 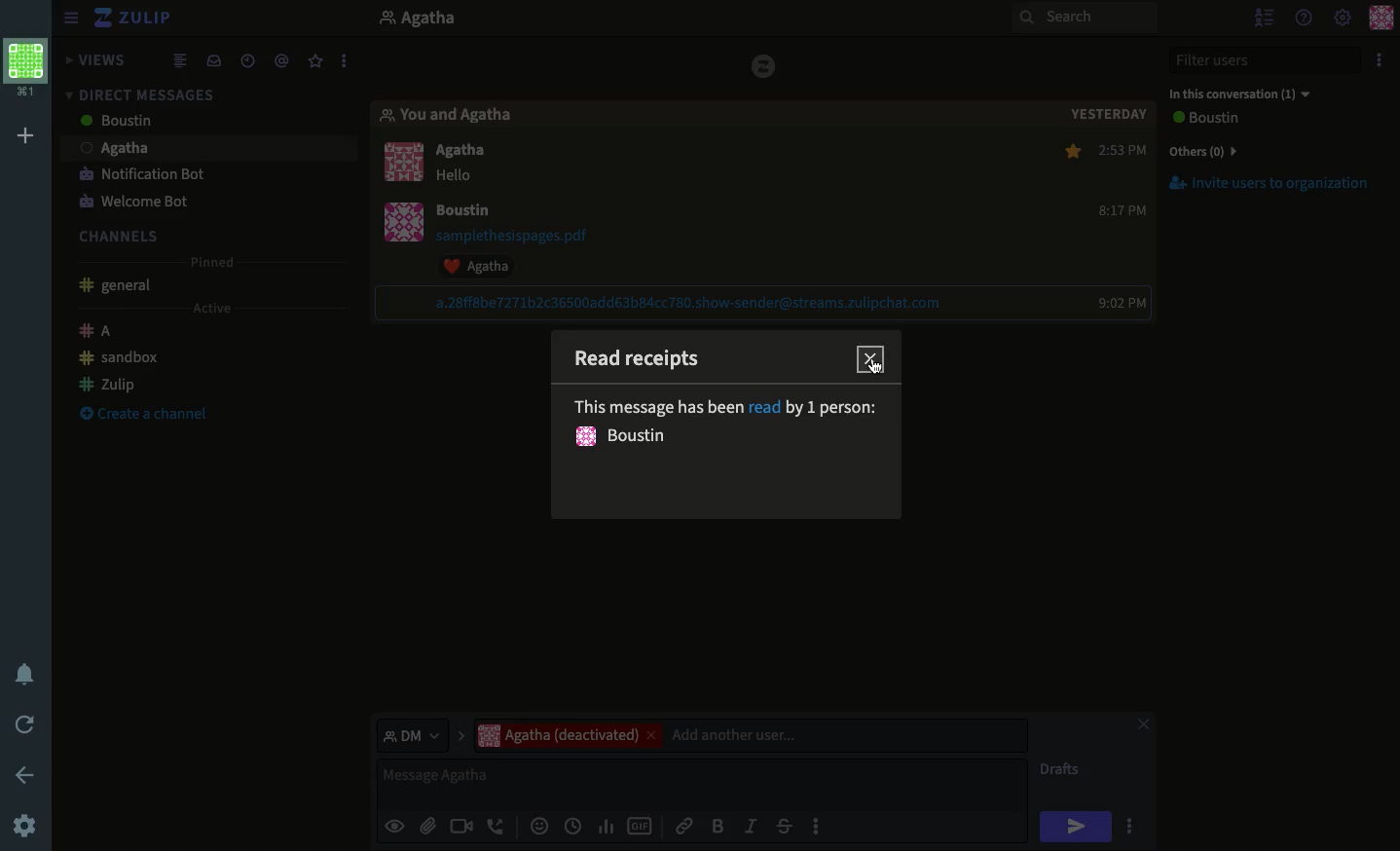 I want to click on Users, so click(x=750, y=735).